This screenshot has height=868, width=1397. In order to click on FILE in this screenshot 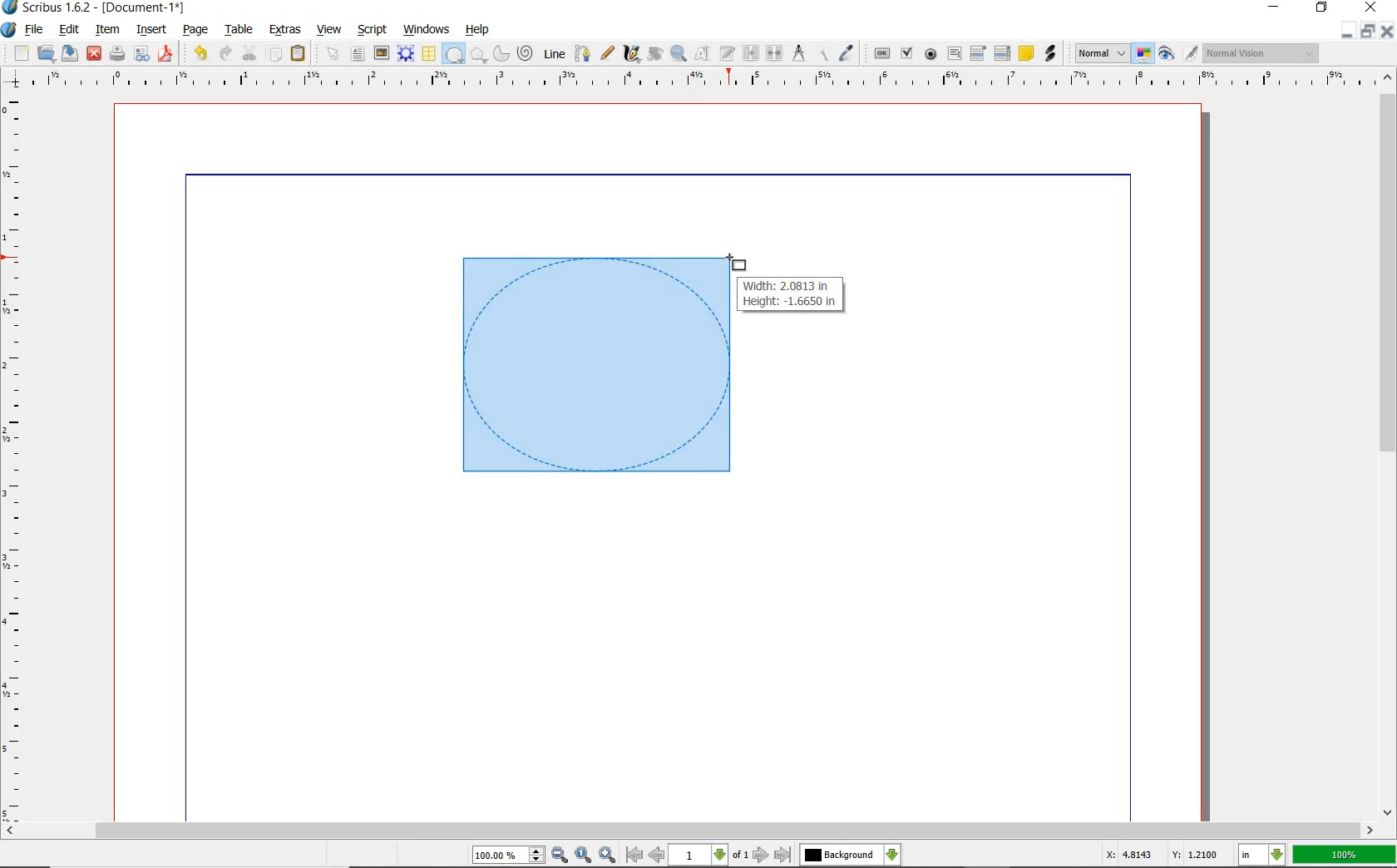, I will do `click(36, 29)`.